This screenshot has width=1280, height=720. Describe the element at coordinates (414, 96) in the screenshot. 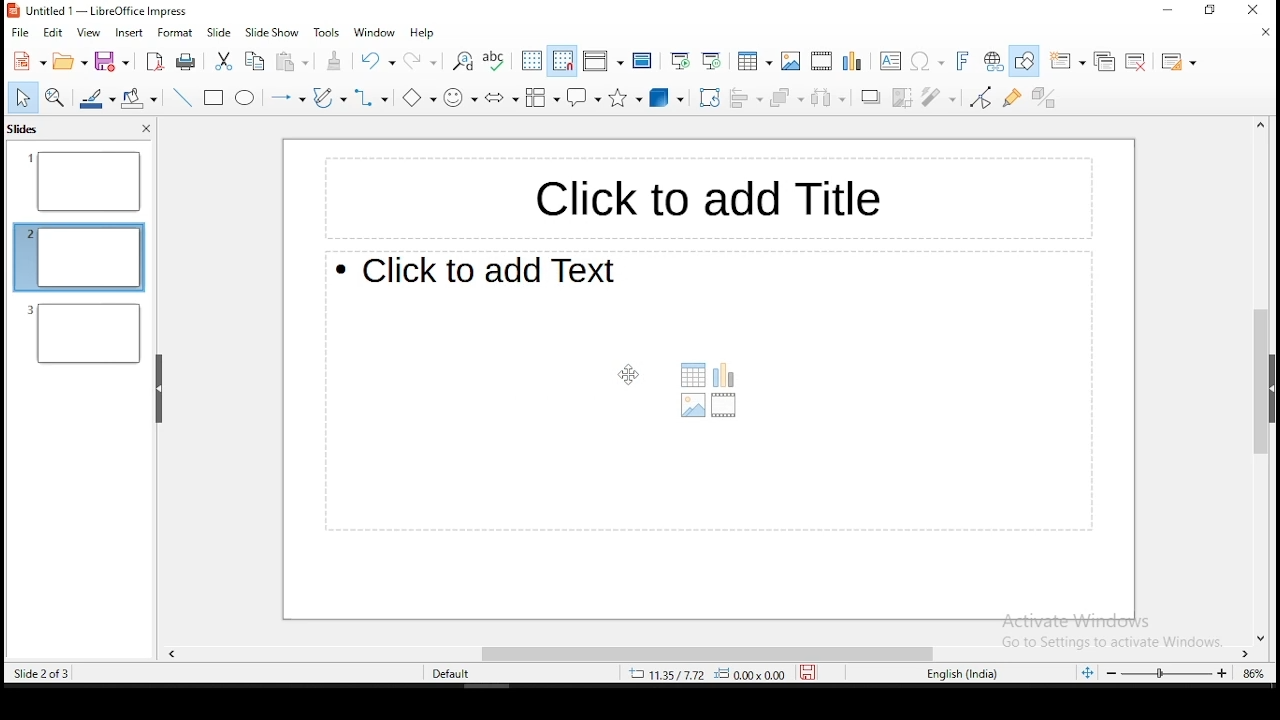

I see `basic shapes` at that location.